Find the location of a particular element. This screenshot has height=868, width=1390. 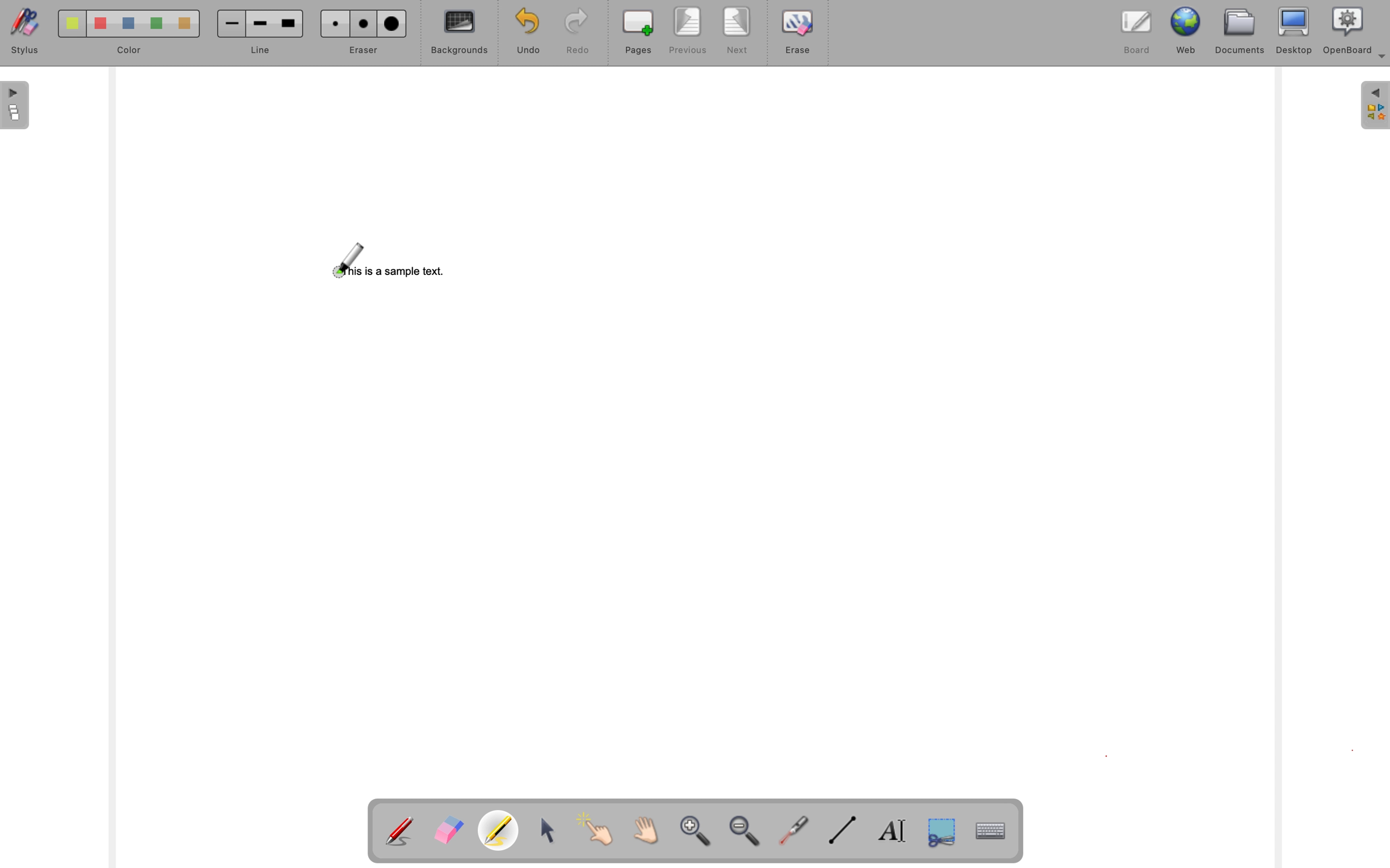

highlighter cursor is located at coordinates (346, 260).